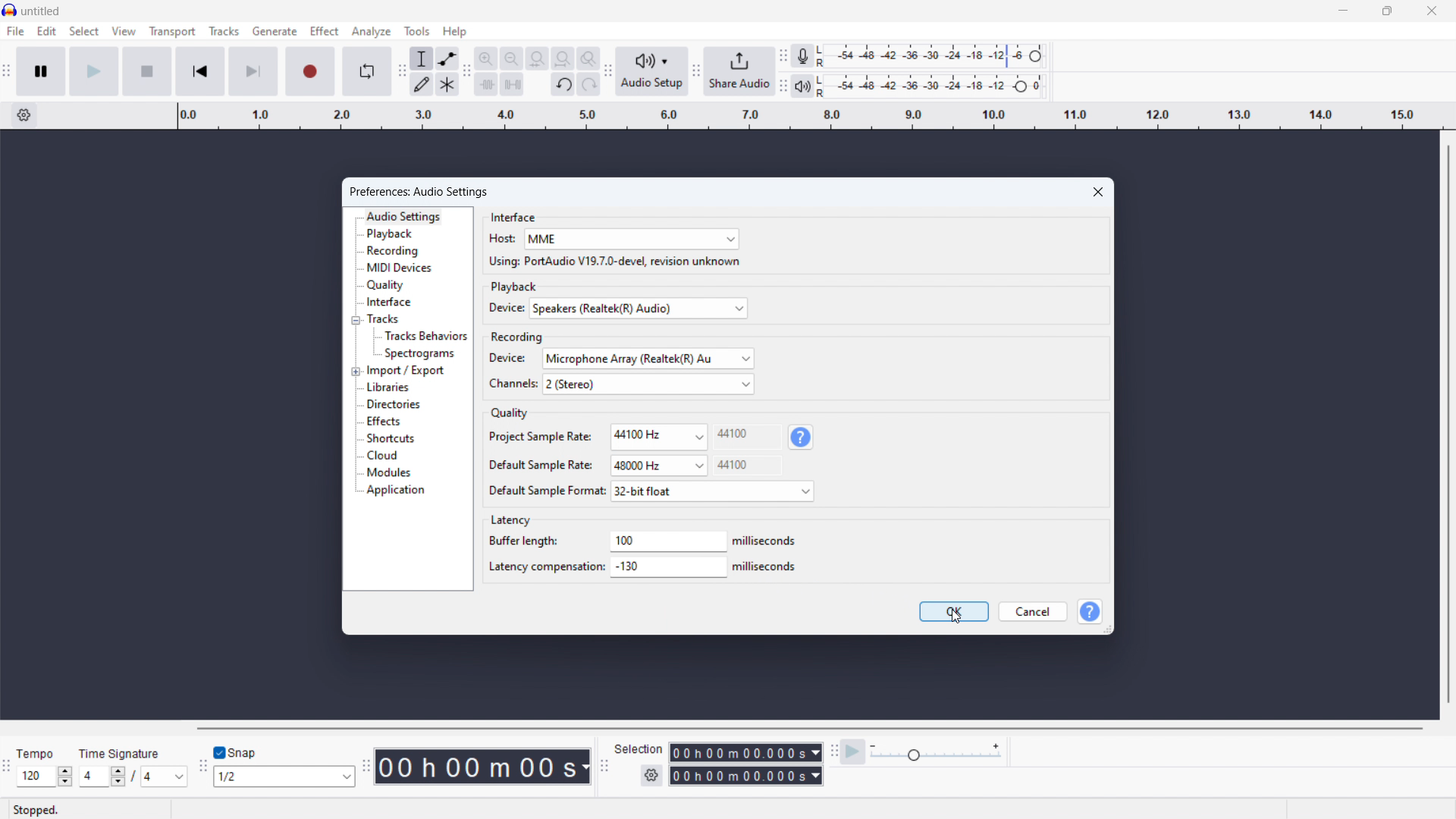 The height and width of the screenshot is (819, 1456). What do you see at coordinates (389, 303) in the screenshot?
I see `interface` at bounding box center [389, 303].